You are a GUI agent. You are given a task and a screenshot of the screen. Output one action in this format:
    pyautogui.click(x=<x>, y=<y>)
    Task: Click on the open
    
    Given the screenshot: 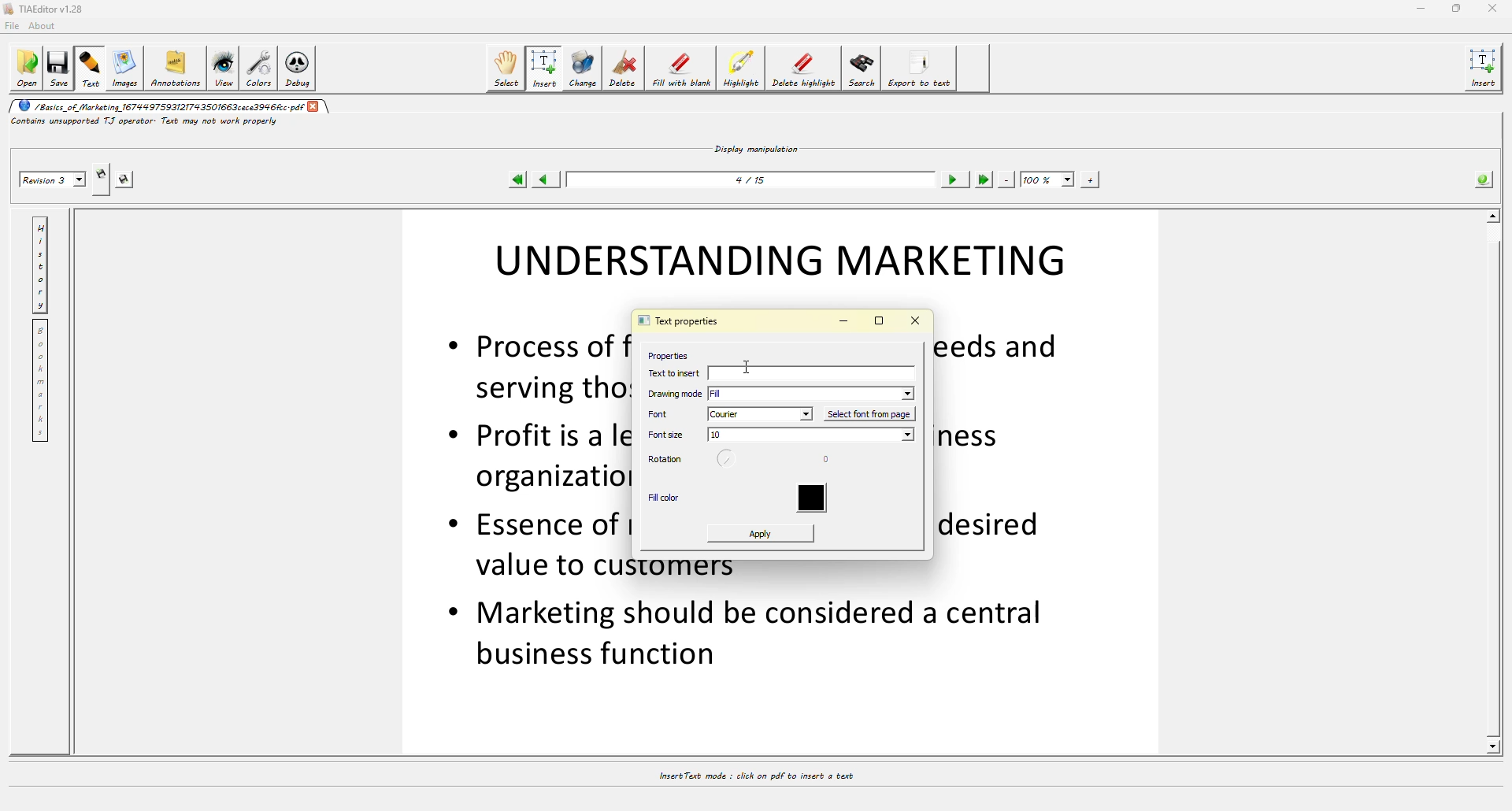 What is the action you would take?
    pyautogui.click(x=28, y=69)
    